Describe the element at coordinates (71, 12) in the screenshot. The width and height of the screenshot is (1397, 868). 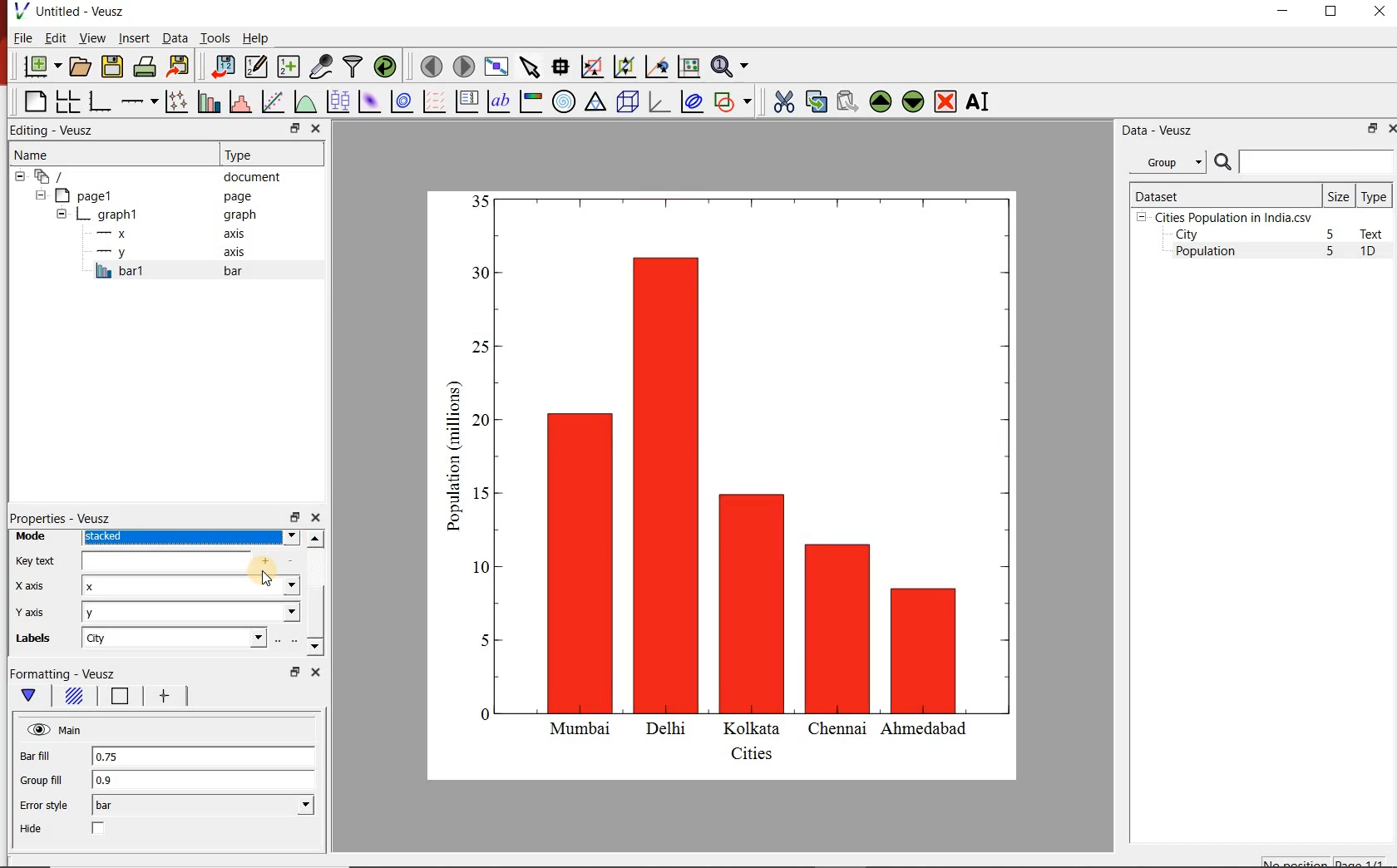
I see `Untitled-Veusz` at that location.